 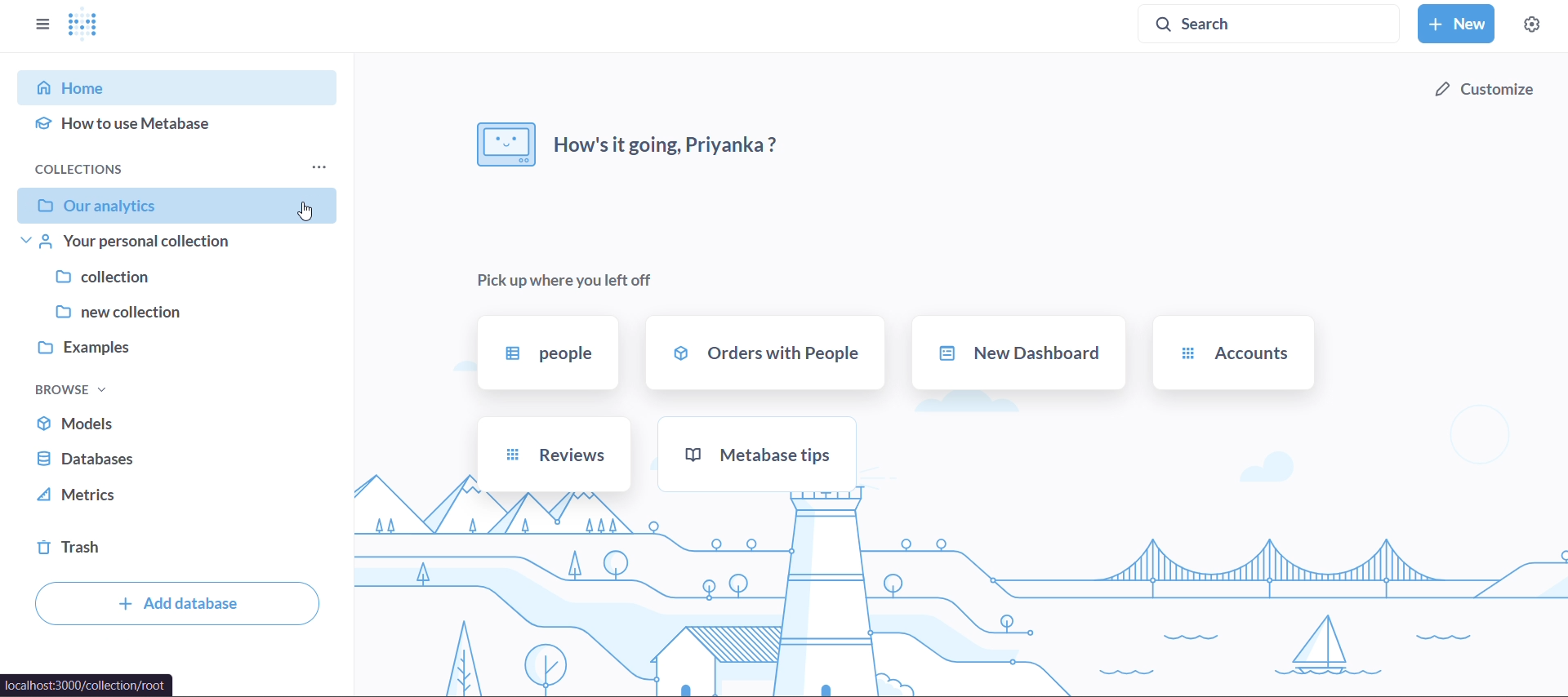 What do you see at coordinates (178, 205) in the screenshot?
I see `our analytics` at bounding box center [178, 205].